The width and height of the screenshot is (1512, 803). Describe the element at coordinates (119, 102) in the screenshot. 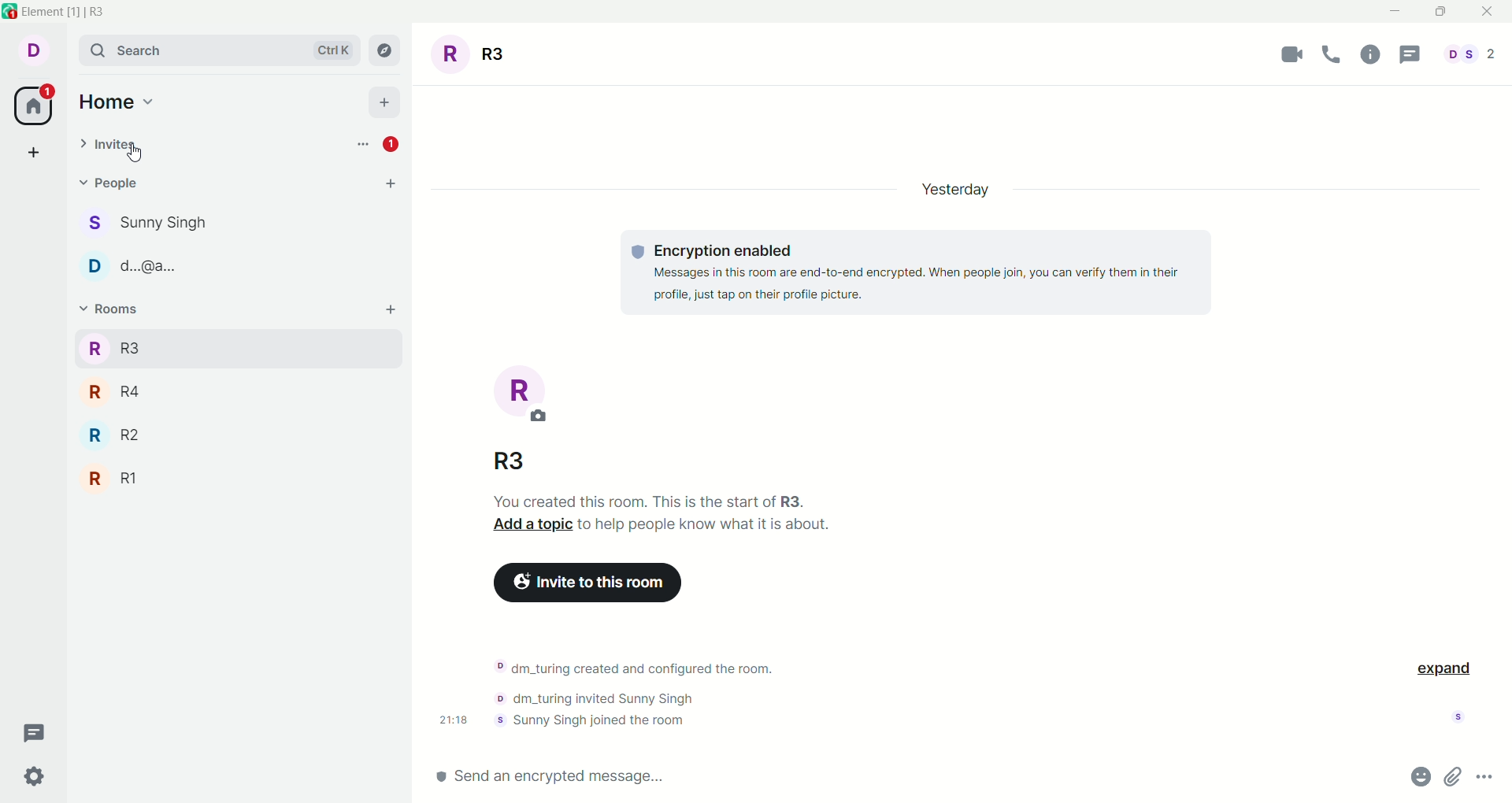

I see `home` at that location.